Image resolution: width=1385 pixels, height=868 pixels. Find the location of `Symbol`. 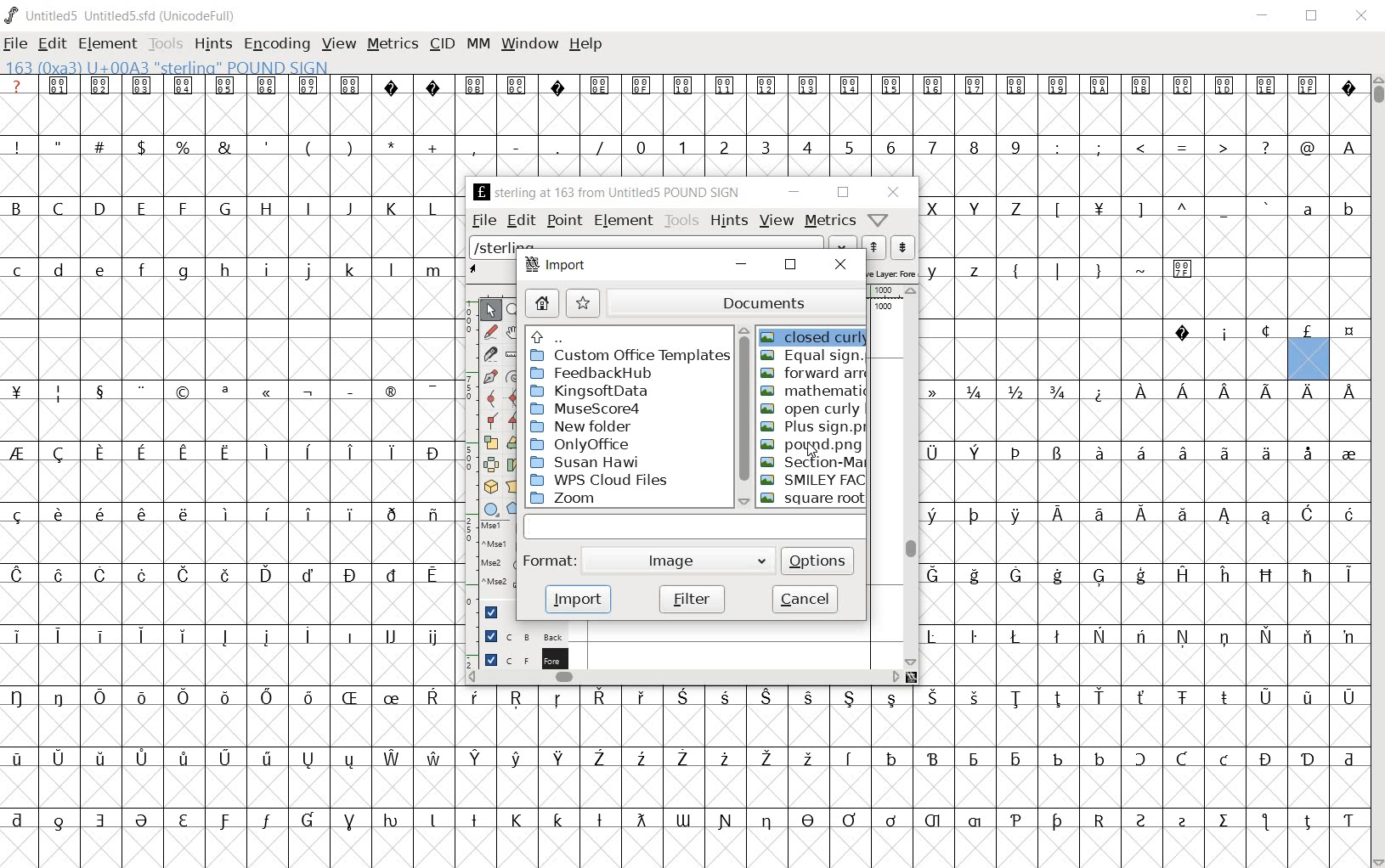

Symbol is located at coordinates (1183, 332).